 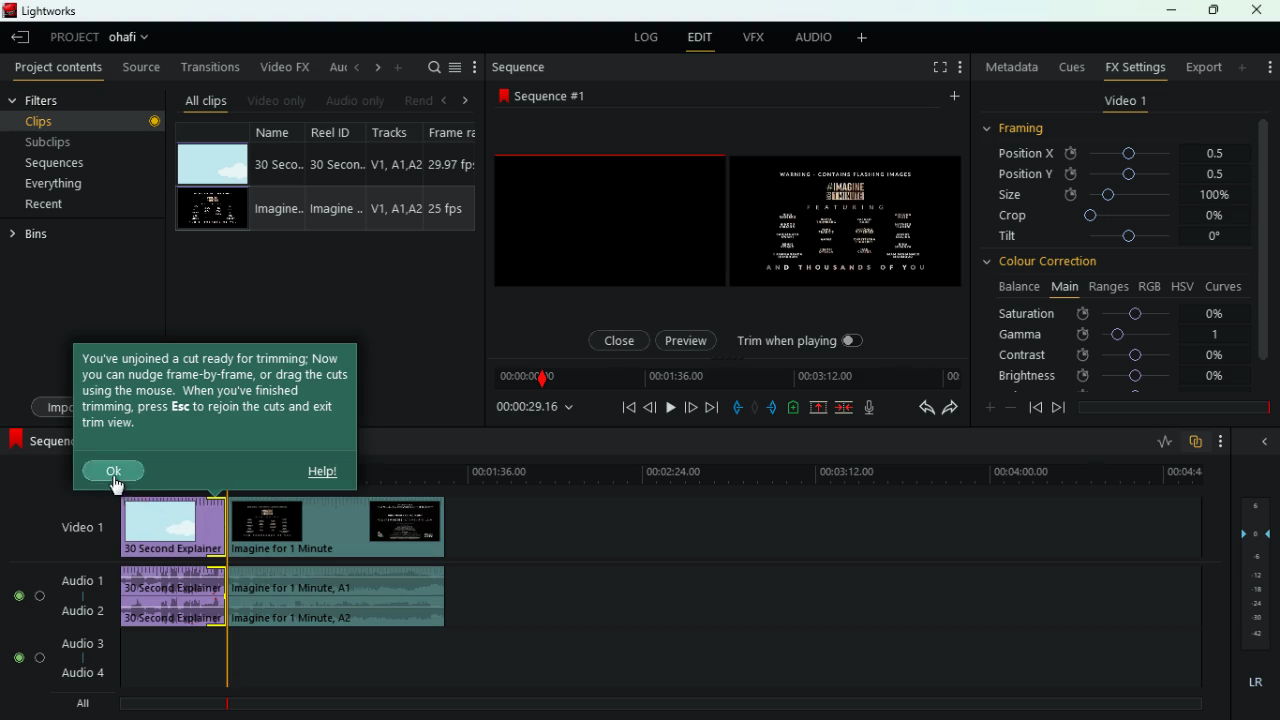 I want to click on metadata, so click(x=1012, y=67).